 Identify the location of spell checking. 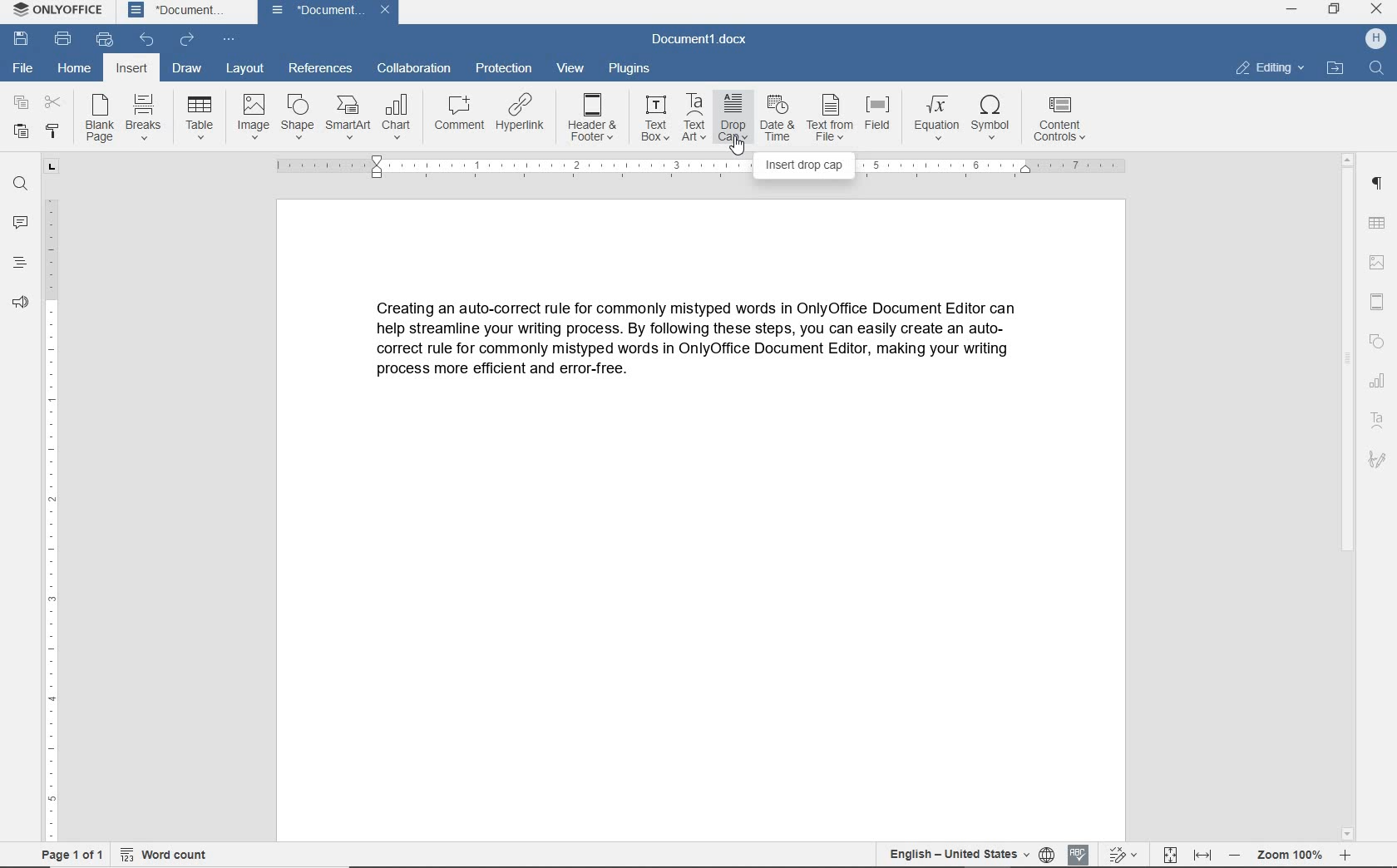
(1075, 854).